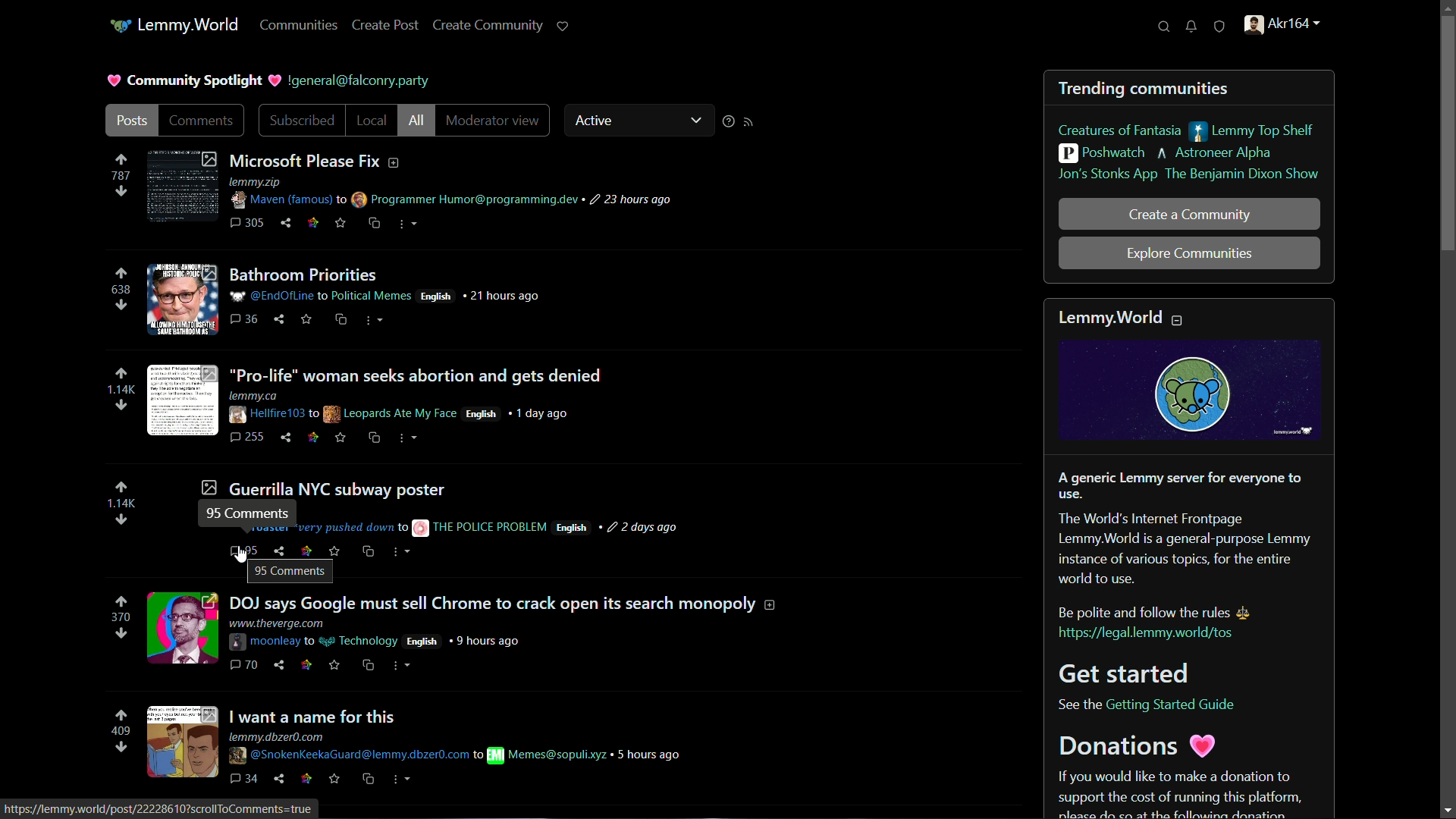 The image size is (1456, 819). I want to click on downvote, so click(122, 191).